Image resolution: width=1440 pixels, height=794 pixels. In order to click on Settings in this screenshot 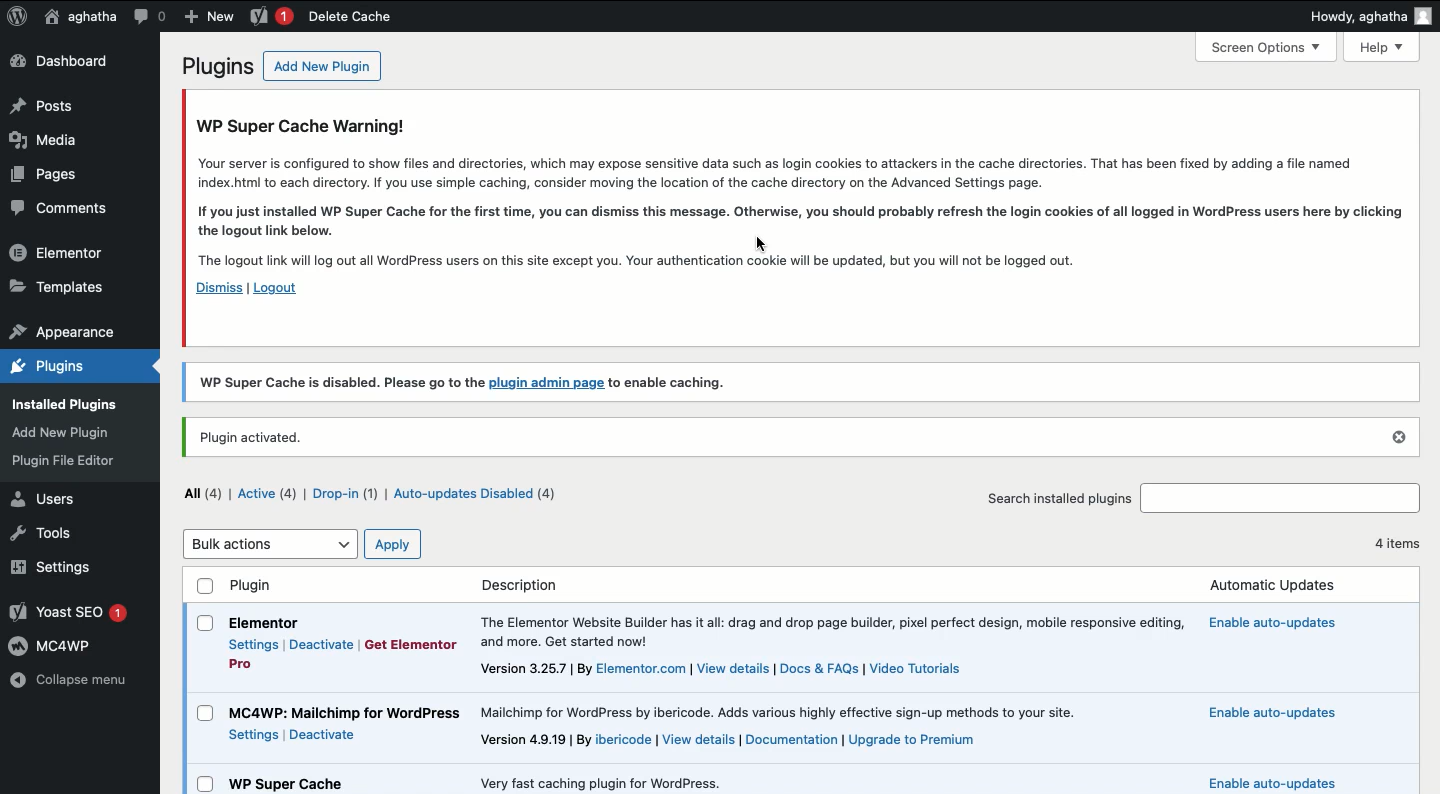, I will do `click(255, 644)`.